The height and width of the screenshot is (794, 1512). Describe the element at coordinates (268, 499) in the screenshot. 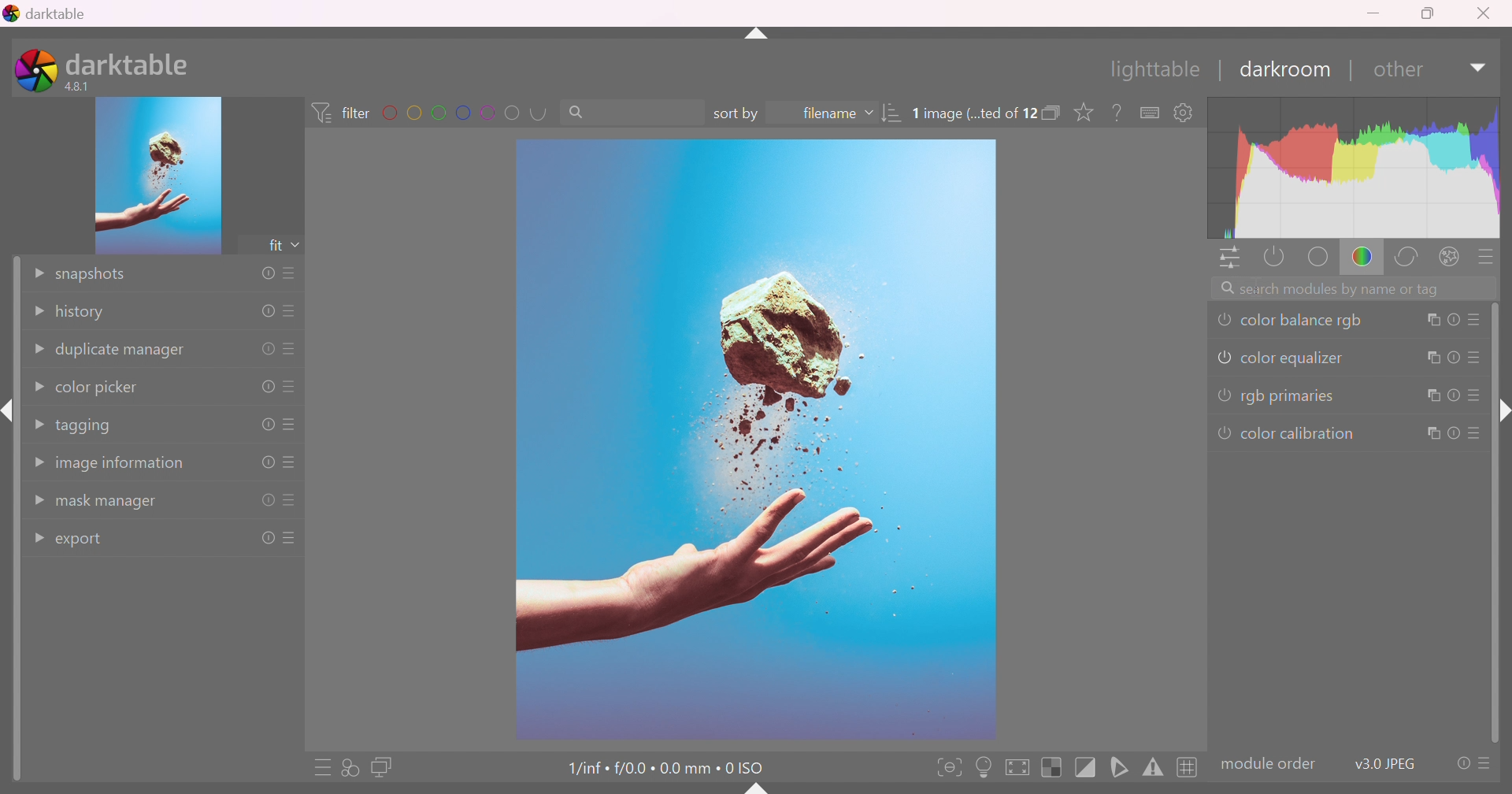

I see `reset` at that location.